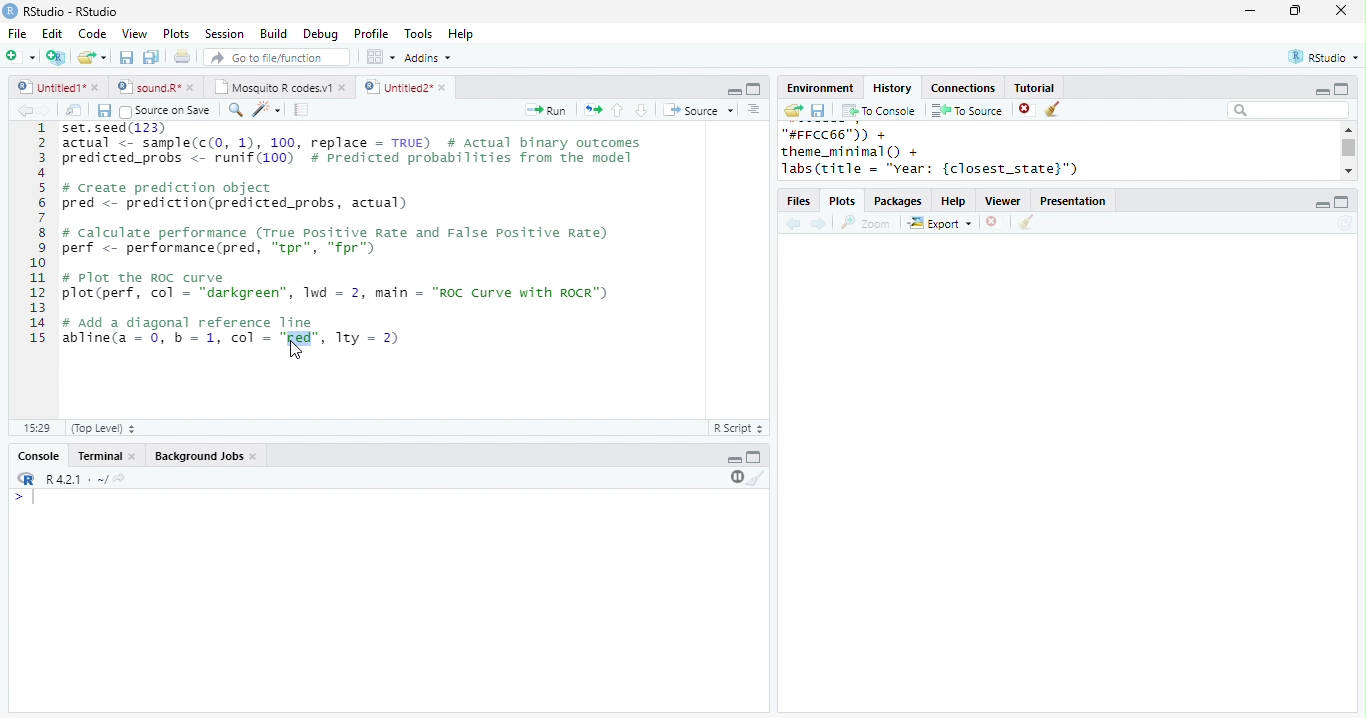 This screenshot has width=1366, height=718. Describe the element at coordinates (52, 34) in the screenshot. I see `Edit` at that location.